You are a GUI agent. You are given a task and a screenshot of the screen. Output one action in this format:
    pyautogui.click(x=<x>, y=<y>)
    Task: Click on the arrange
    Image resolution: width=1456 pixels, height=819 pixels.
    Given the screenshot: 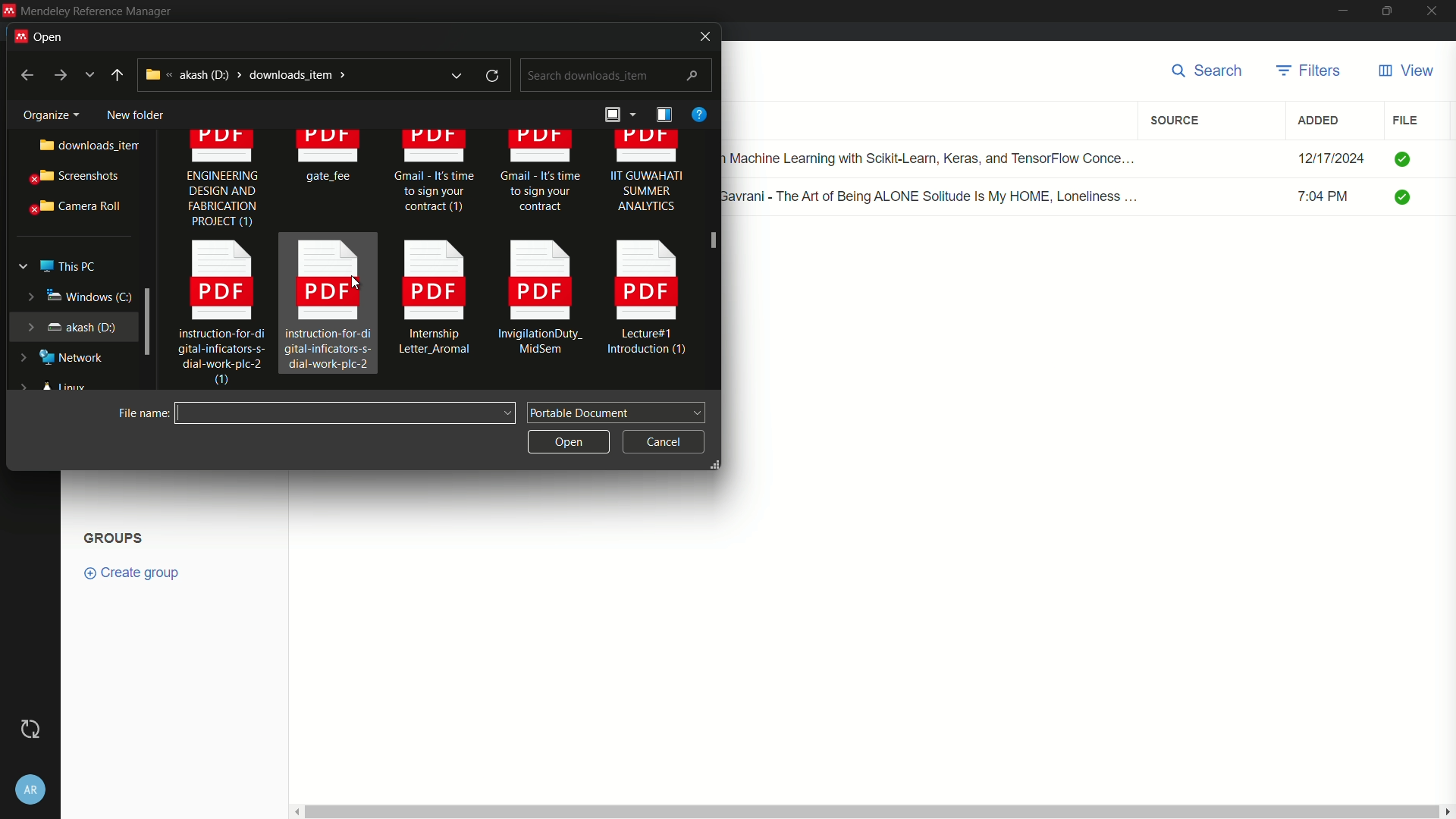 What is the action you would take?
    pyautogui.click(x=617, y=117)
    